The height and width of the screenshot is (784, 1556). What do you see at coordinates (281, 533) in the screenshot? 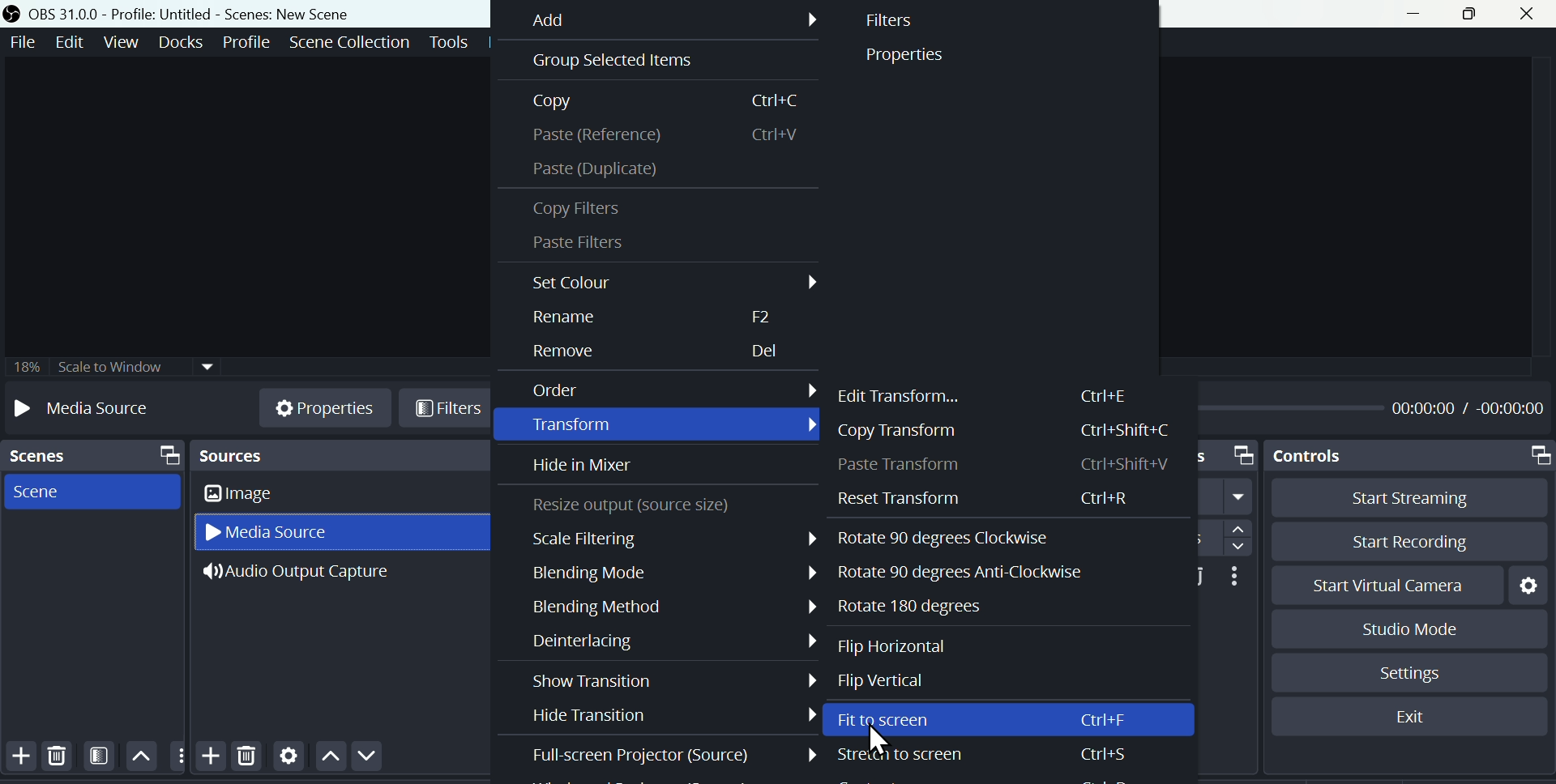
I see `Media source` at bounding box center [281, 533].